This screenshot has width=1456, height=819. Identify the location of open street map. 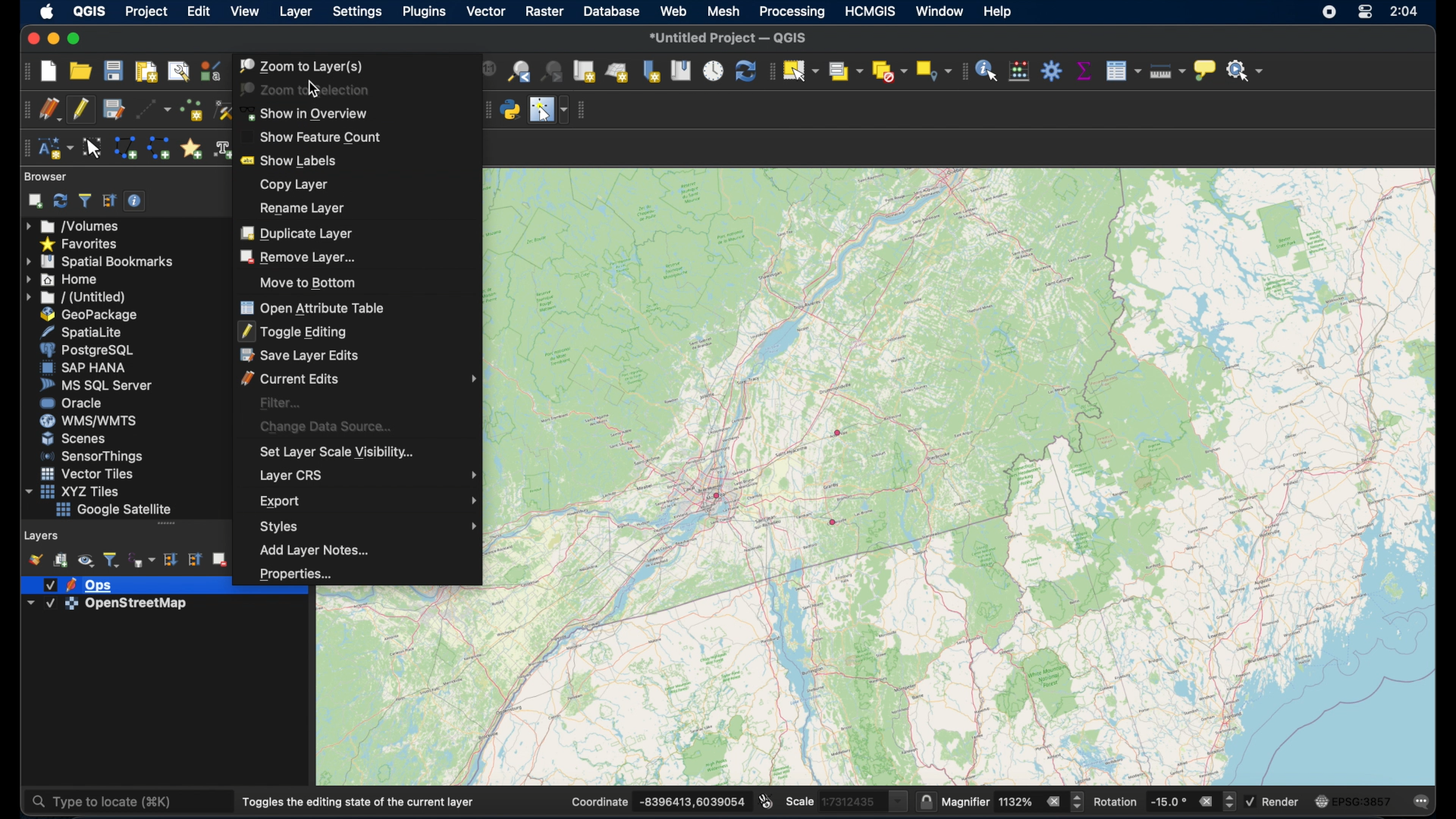
(711, 520).